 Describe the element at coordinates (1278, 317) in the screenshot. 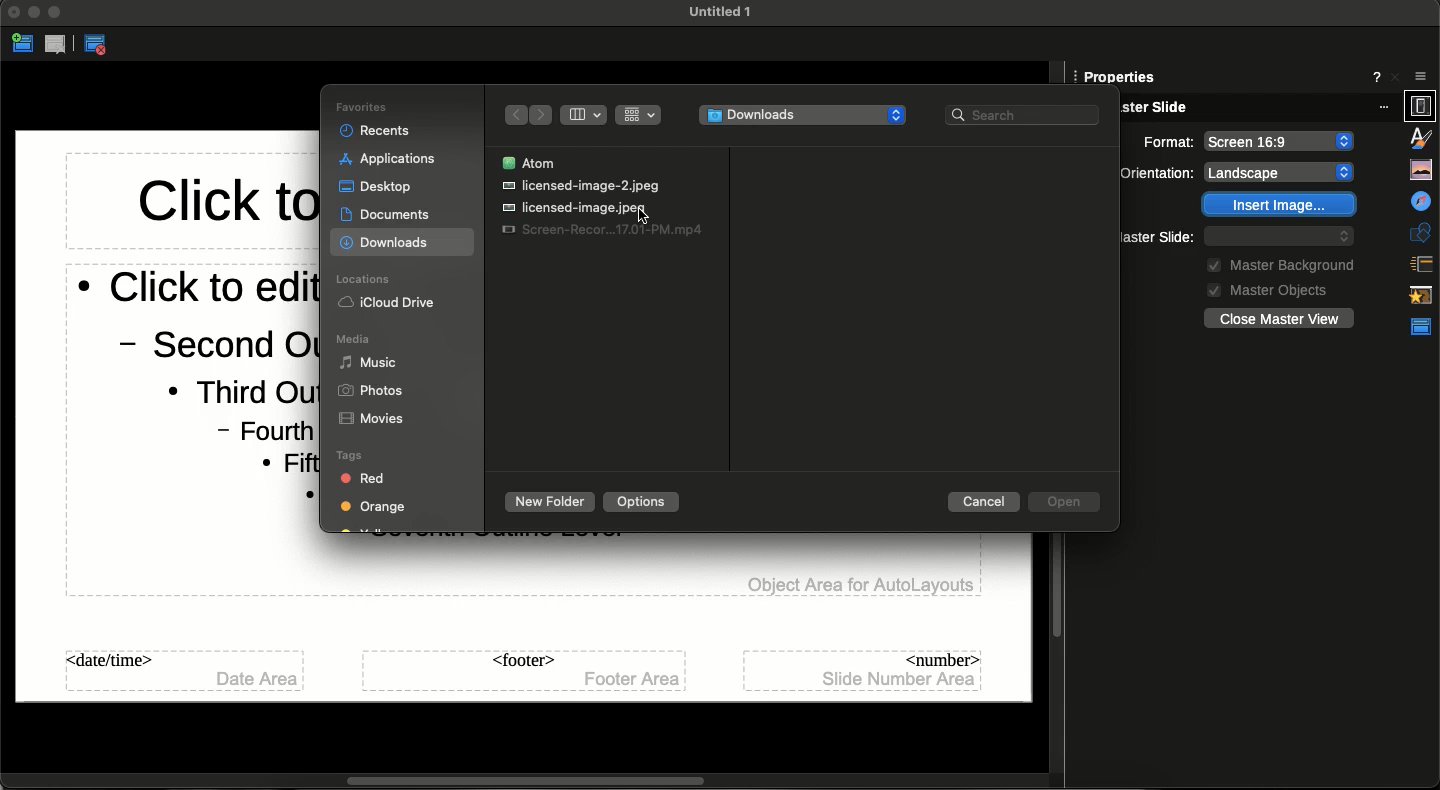

I see `Close master view` at that location.